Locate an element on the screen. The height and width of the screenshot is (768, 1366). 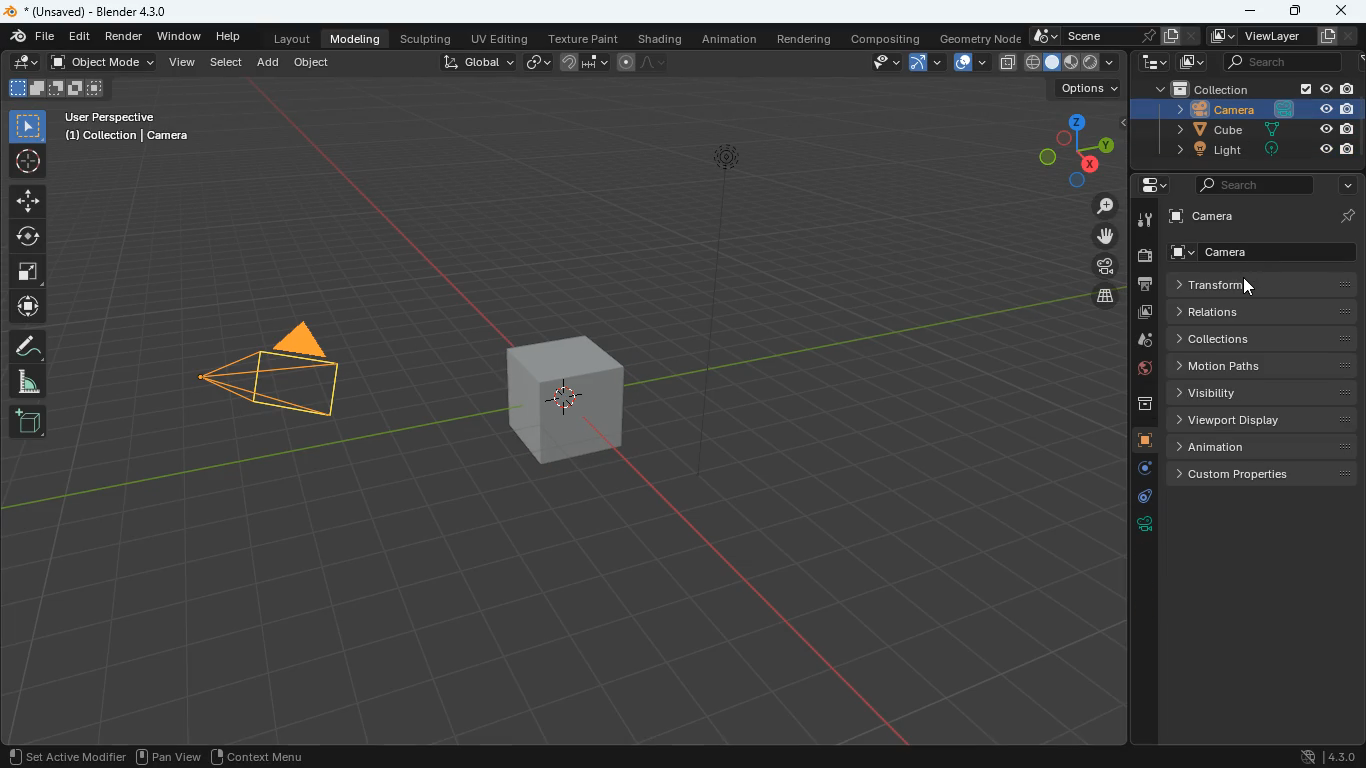
copy is located at coordinates (1007, 64).